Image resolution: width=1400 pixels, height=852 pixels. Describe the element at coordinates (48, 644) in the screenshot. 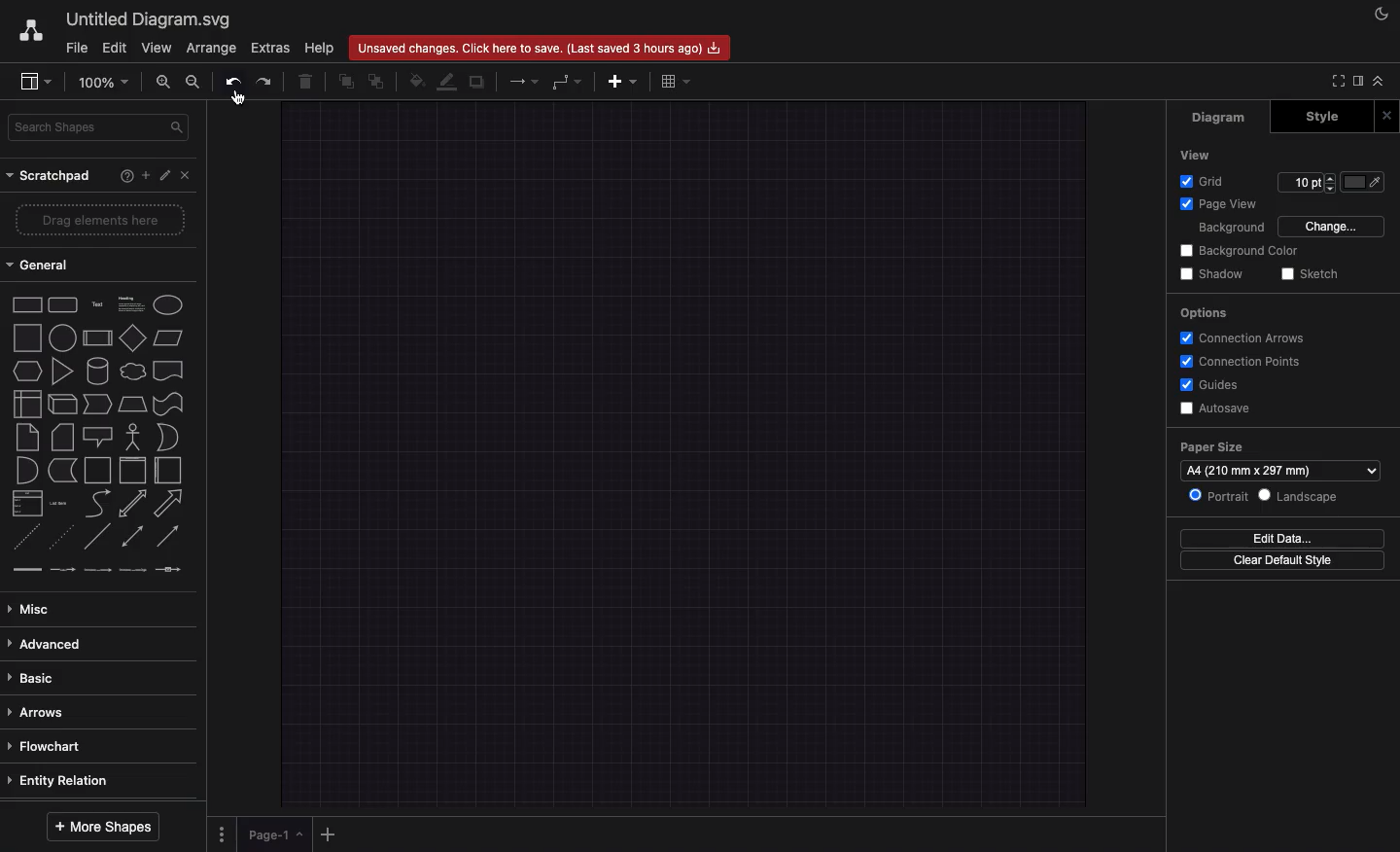

I see `Advanced` at that location.